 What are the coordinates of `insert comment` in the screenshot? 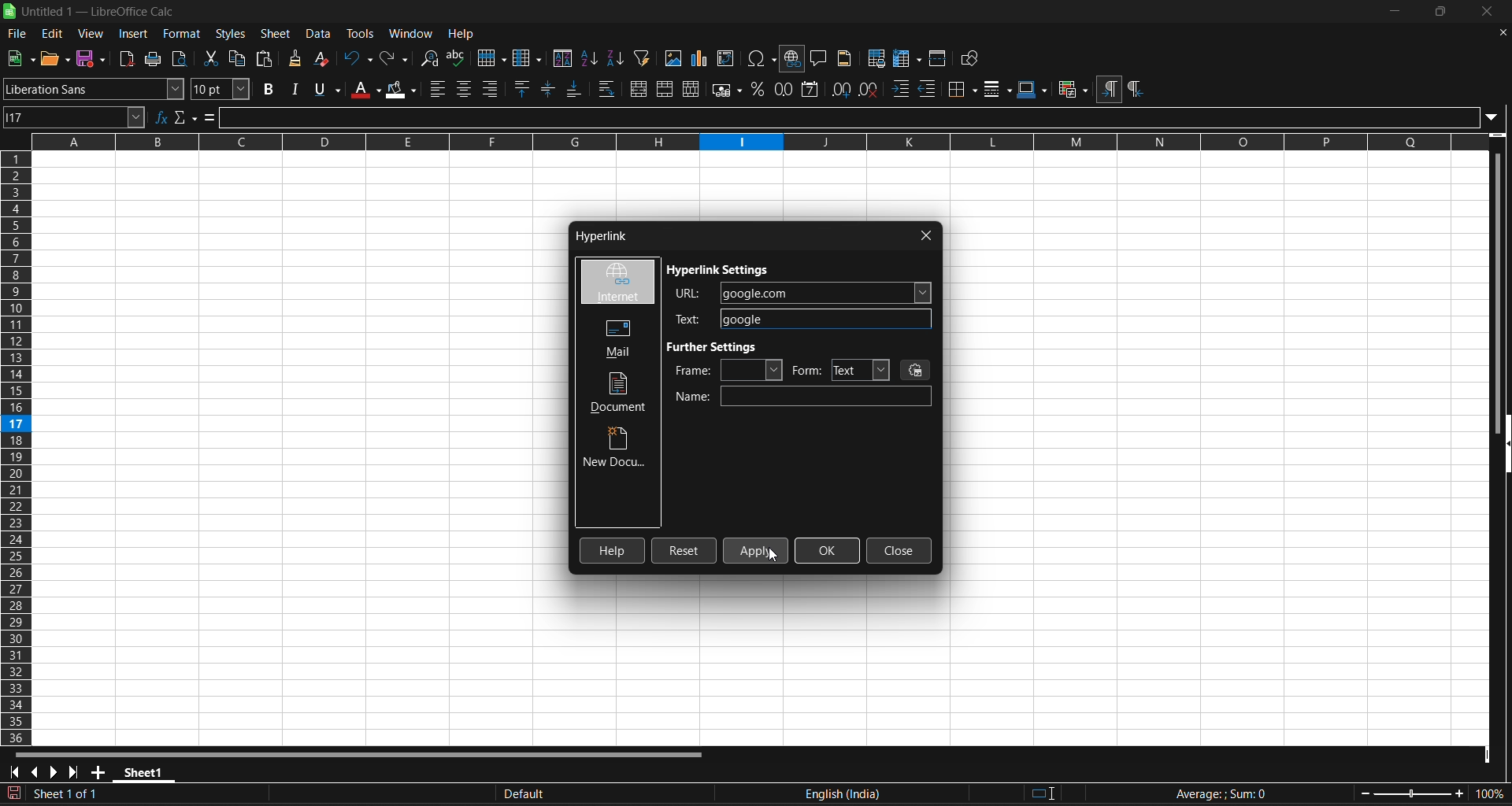 It's located at (820, 57).